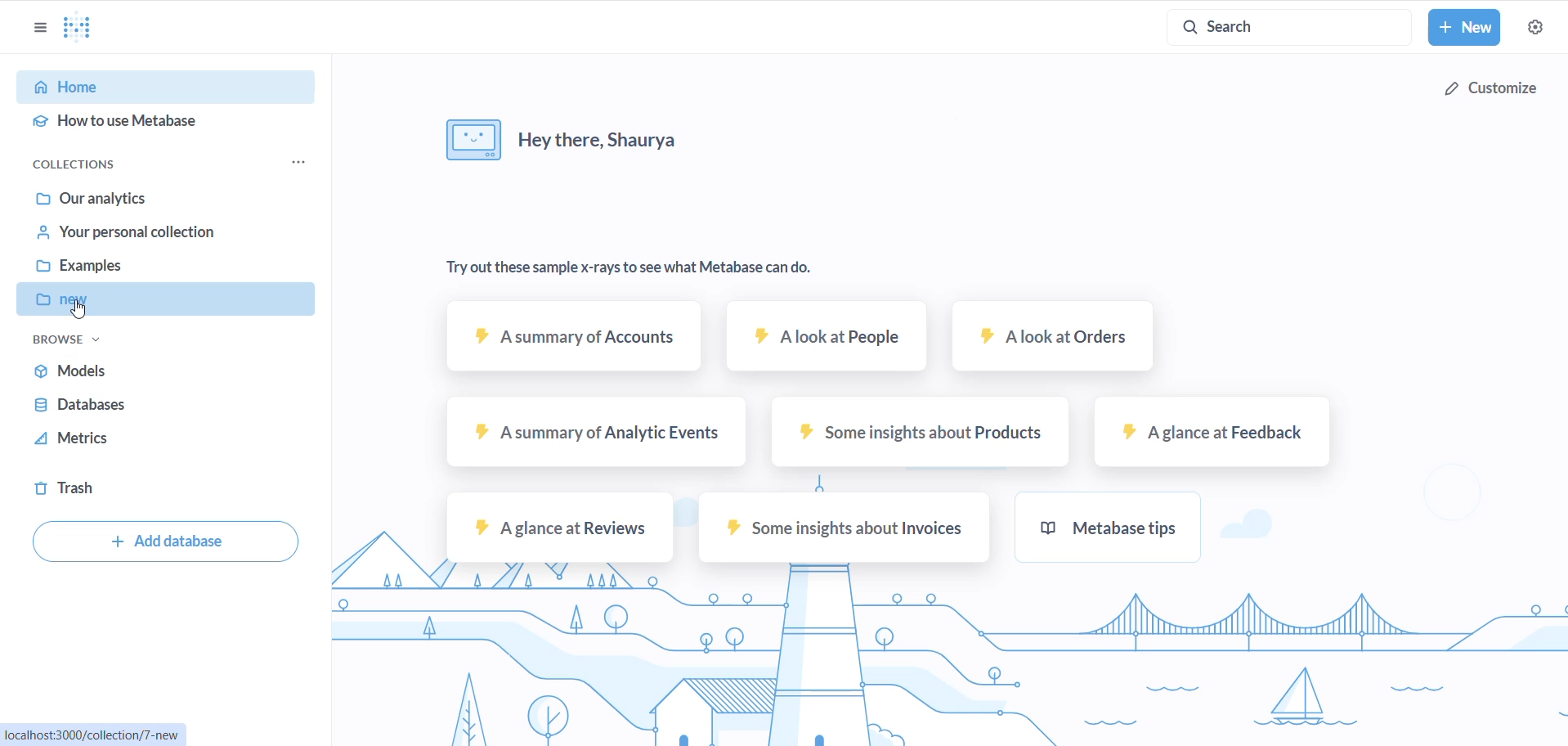  What do you see at coordinates (155, 269) in the screenshot?
I see `examples` at bounding box center [155, 269].